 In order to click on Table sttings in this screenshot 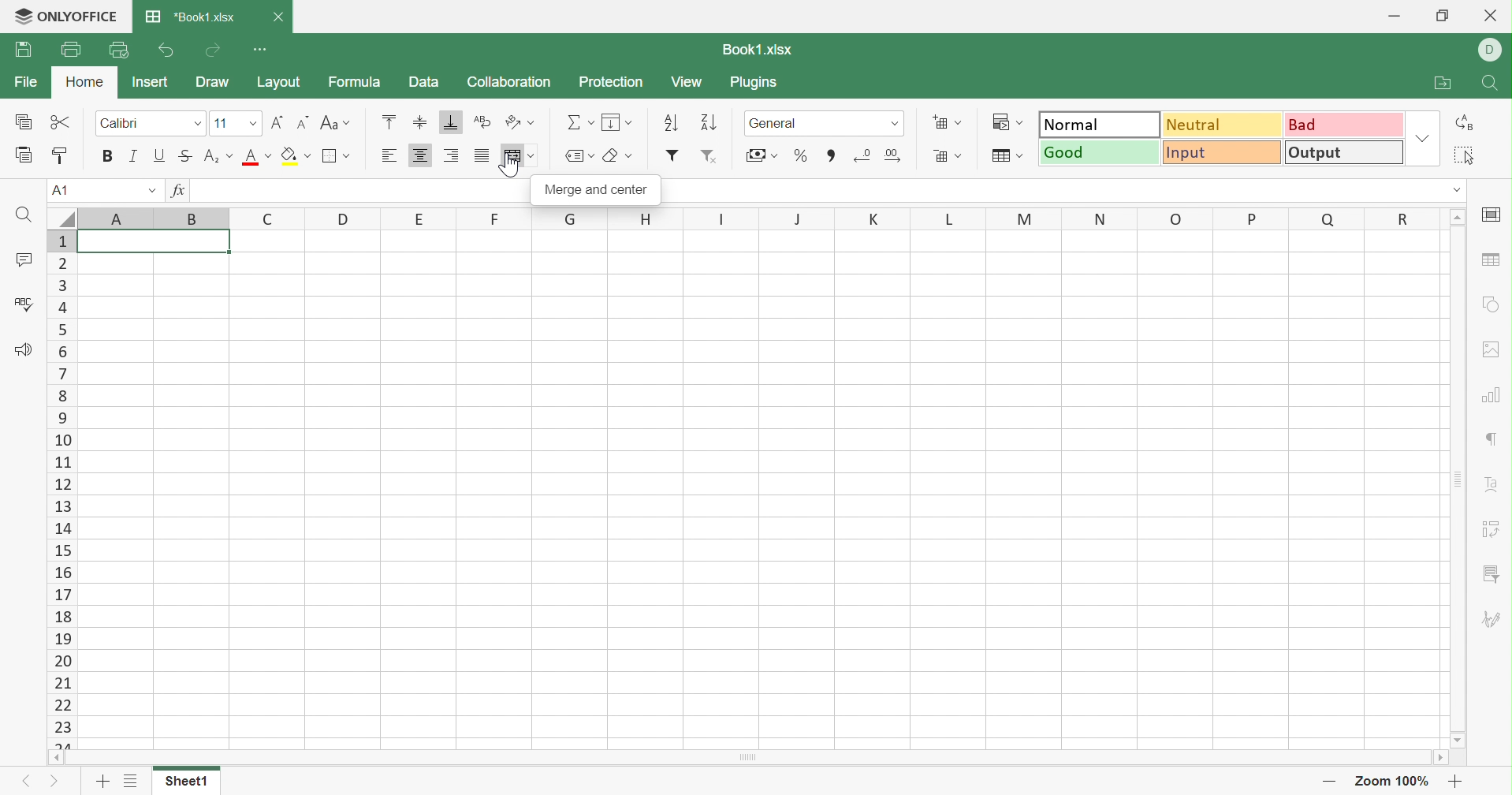, I will do `click(1494, 262)`.